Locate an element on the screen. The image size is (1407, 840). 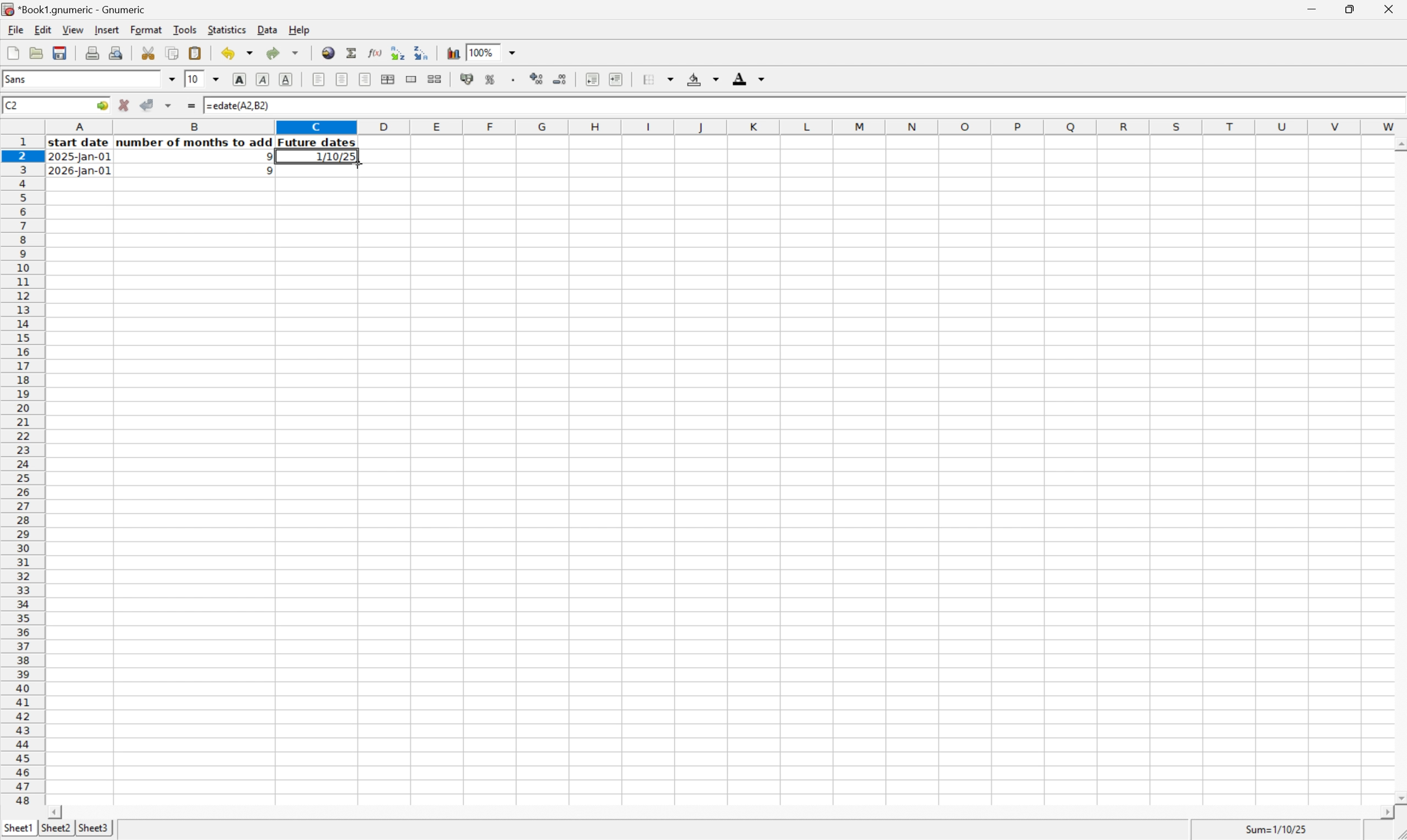
Undo is located at coordinates (236, 53).